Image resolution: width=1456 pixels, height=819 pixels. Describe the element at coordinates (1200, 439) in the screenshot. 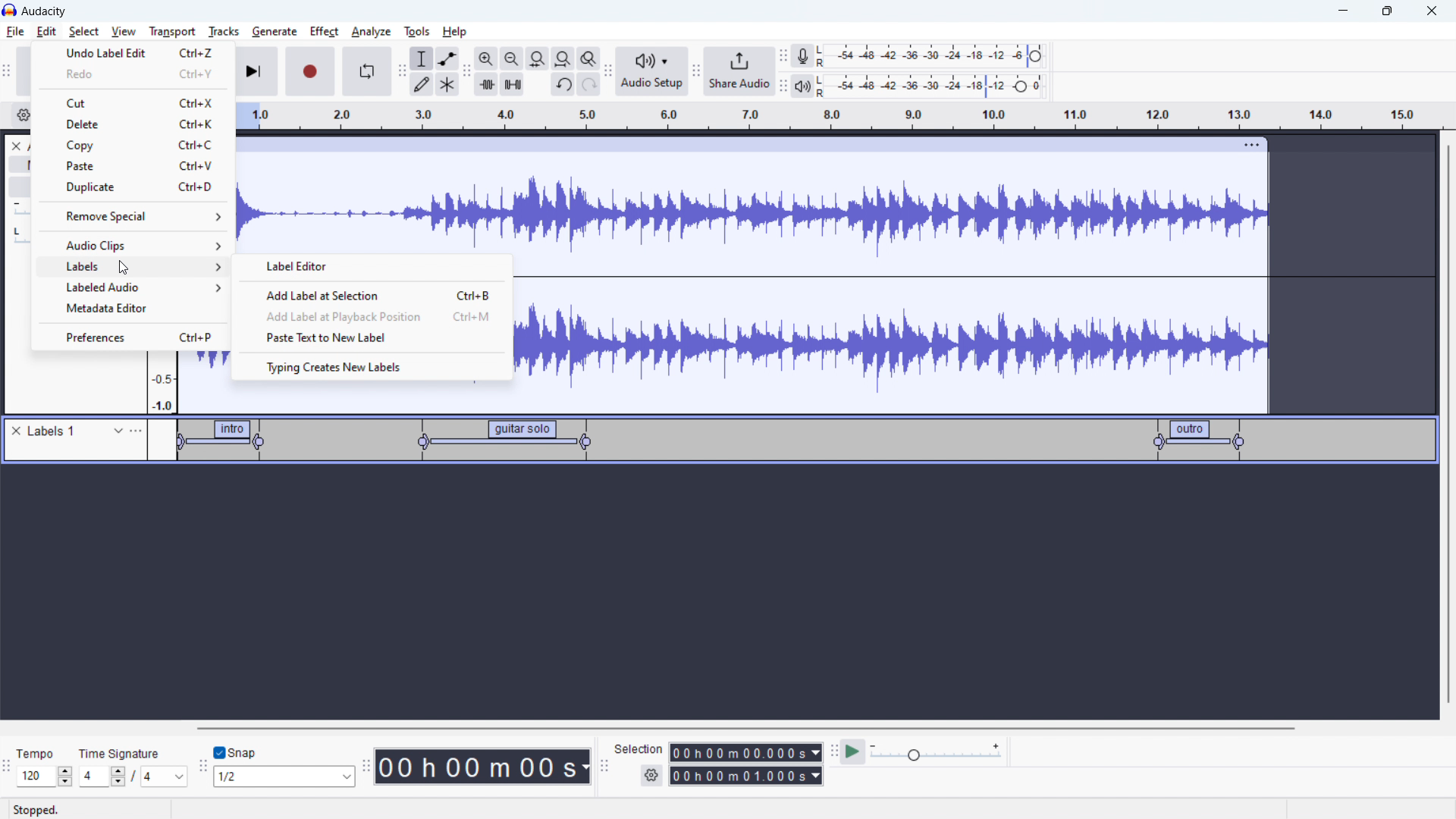

I see `label 3` at that location.